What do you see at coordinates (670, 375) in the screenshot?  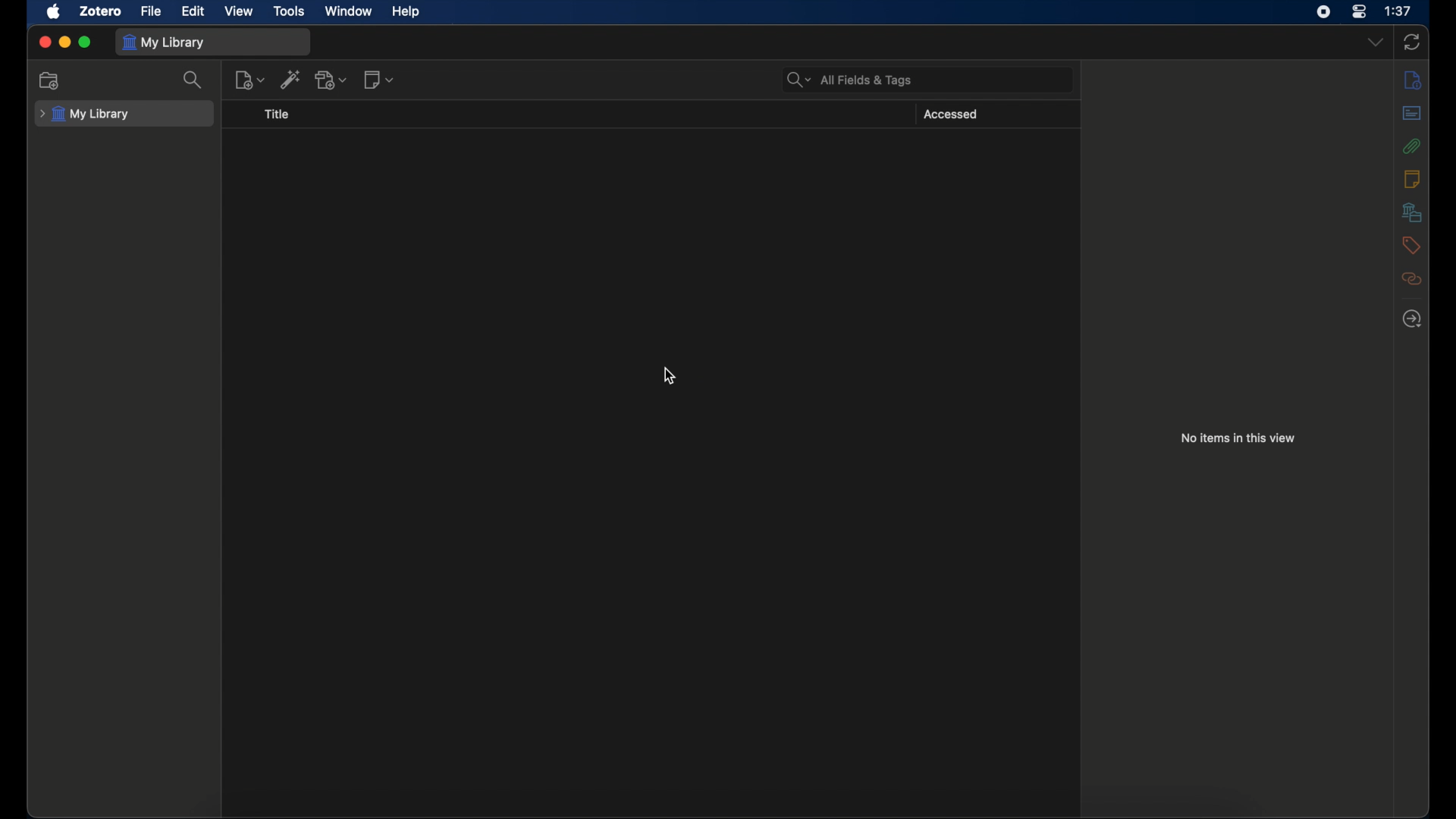 I see `cursor` at bounding box center [670, 375].